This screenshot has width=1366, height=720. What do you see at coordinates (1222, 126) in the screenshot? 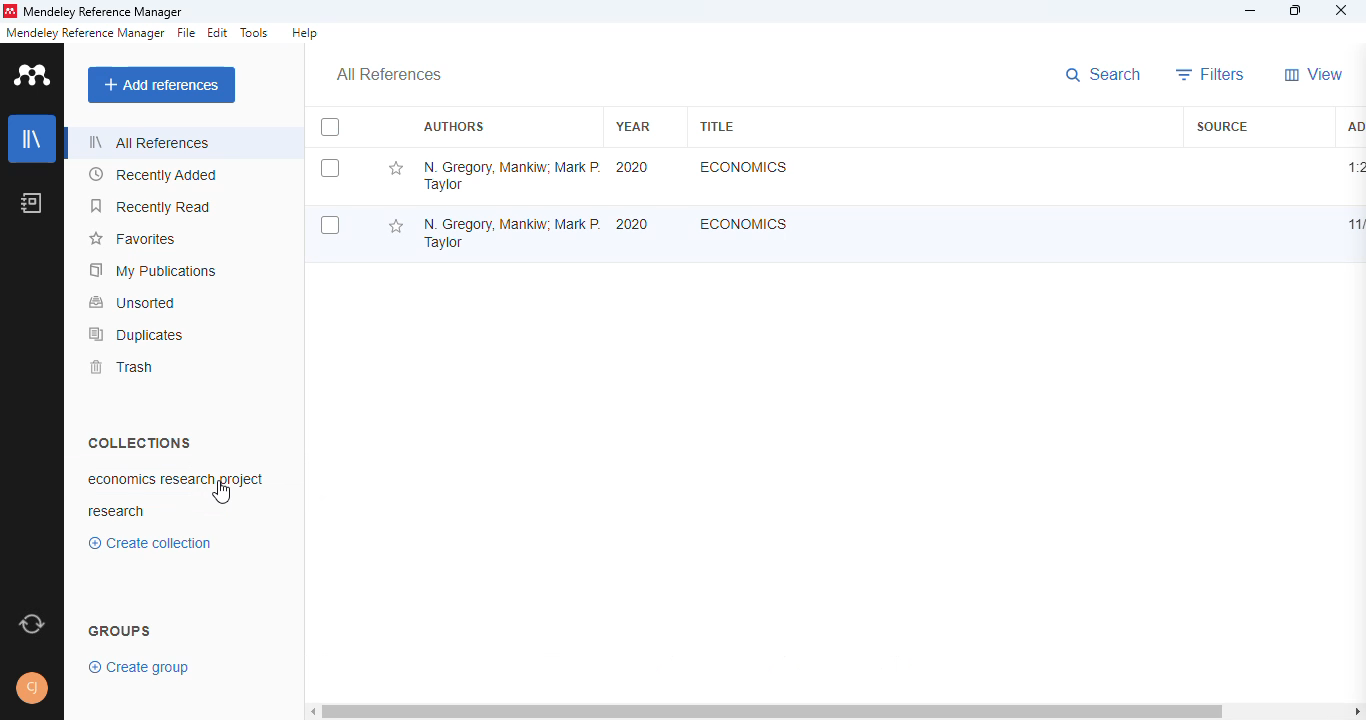
I see `source` at bounding box center [1222, 126].